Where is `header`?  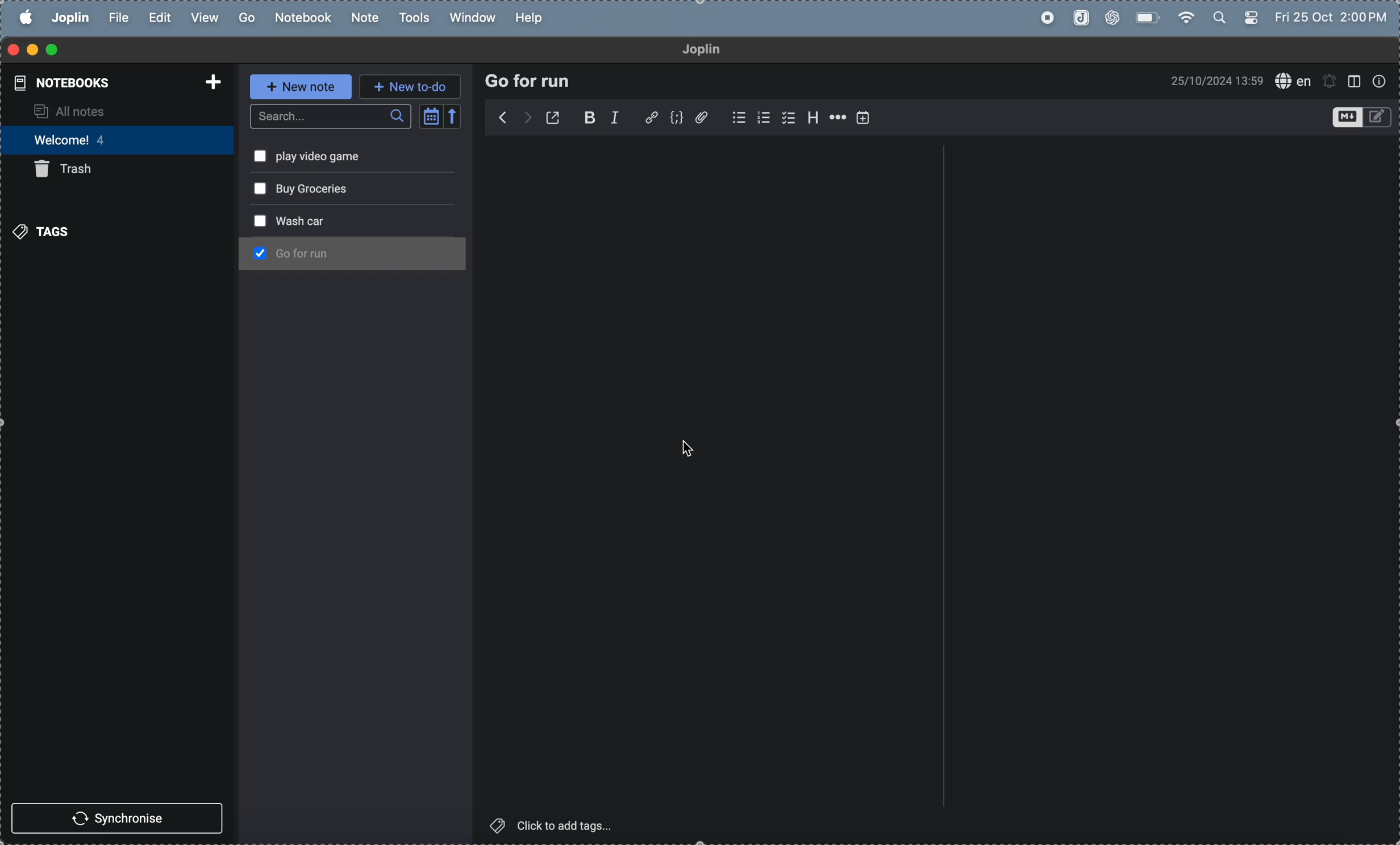
header is located at coordinates (811, 118).